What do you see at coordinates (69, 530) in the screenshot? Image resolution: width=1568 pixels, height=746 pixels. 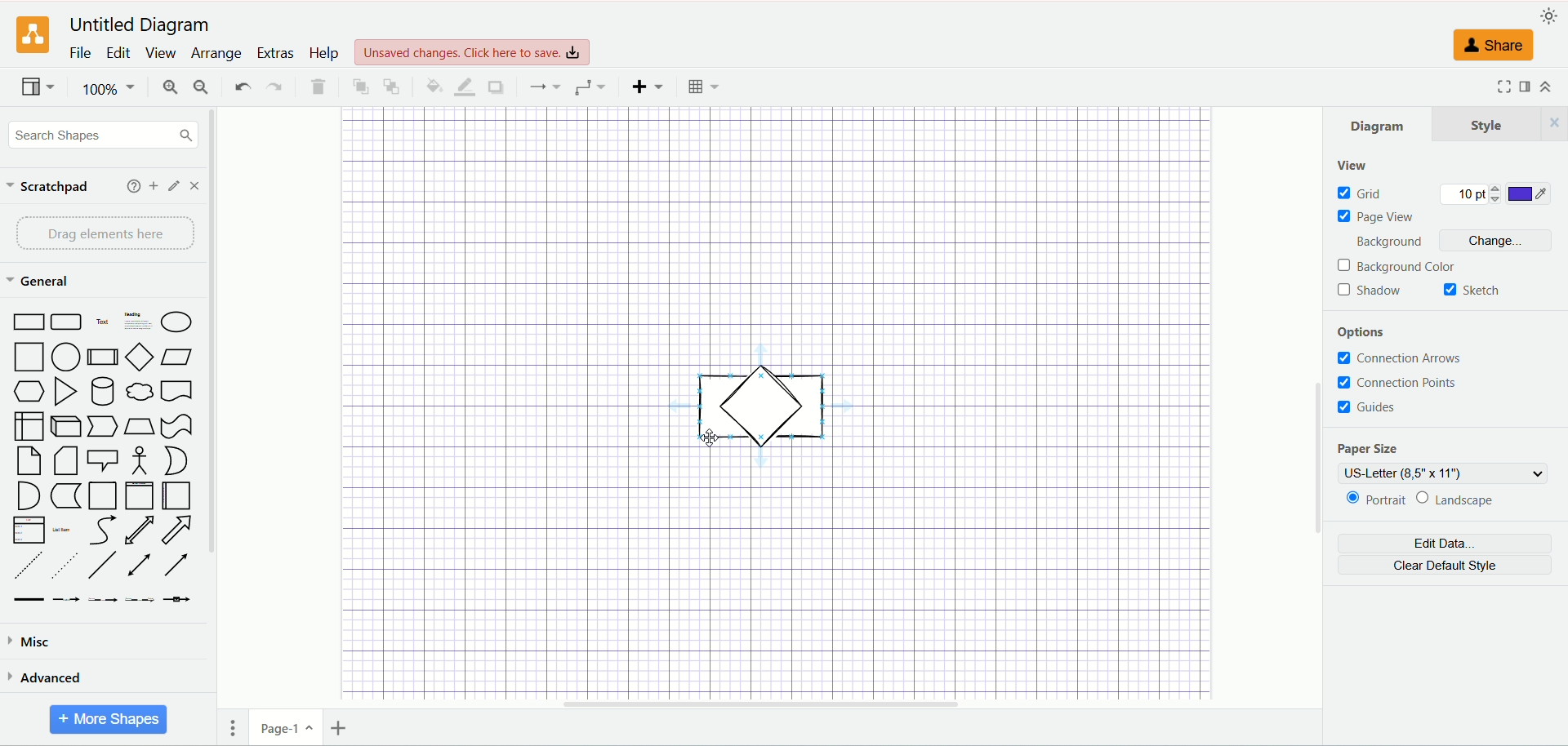 I see `list item` at bounding box center [69, 530].